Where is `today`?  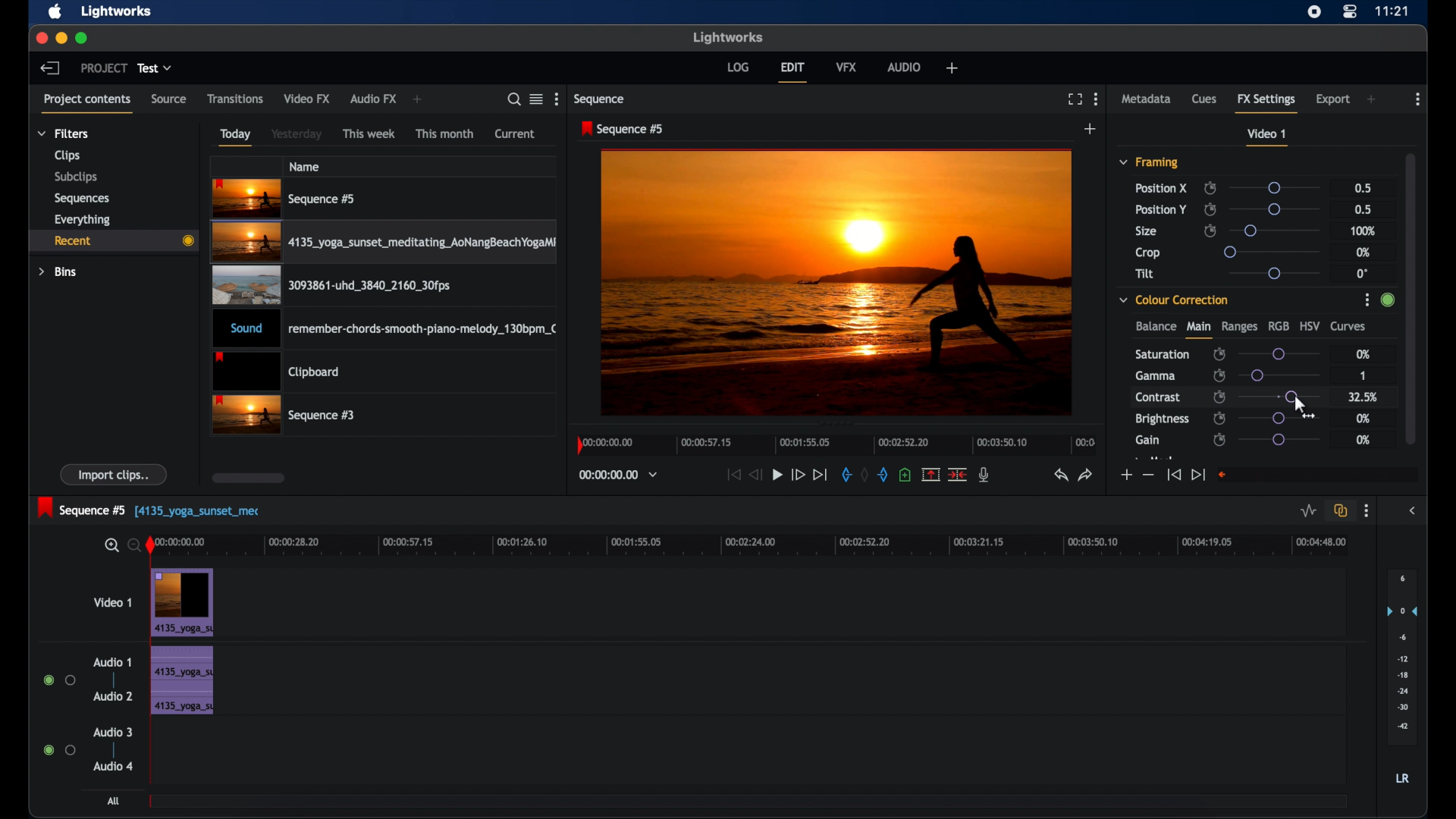
today is located at coordinates (235, 137).